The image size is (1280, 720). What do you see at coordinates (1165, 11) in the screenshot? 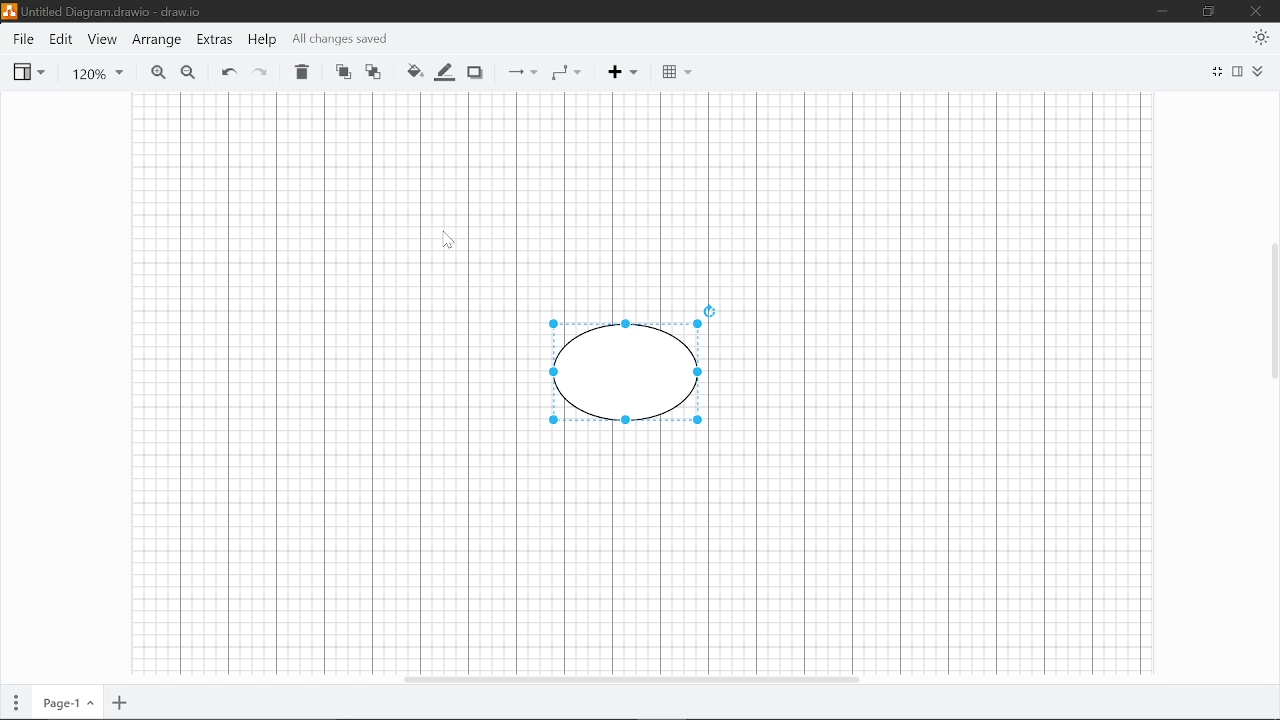
I see `minimize` at bounding box center [1165, 11].